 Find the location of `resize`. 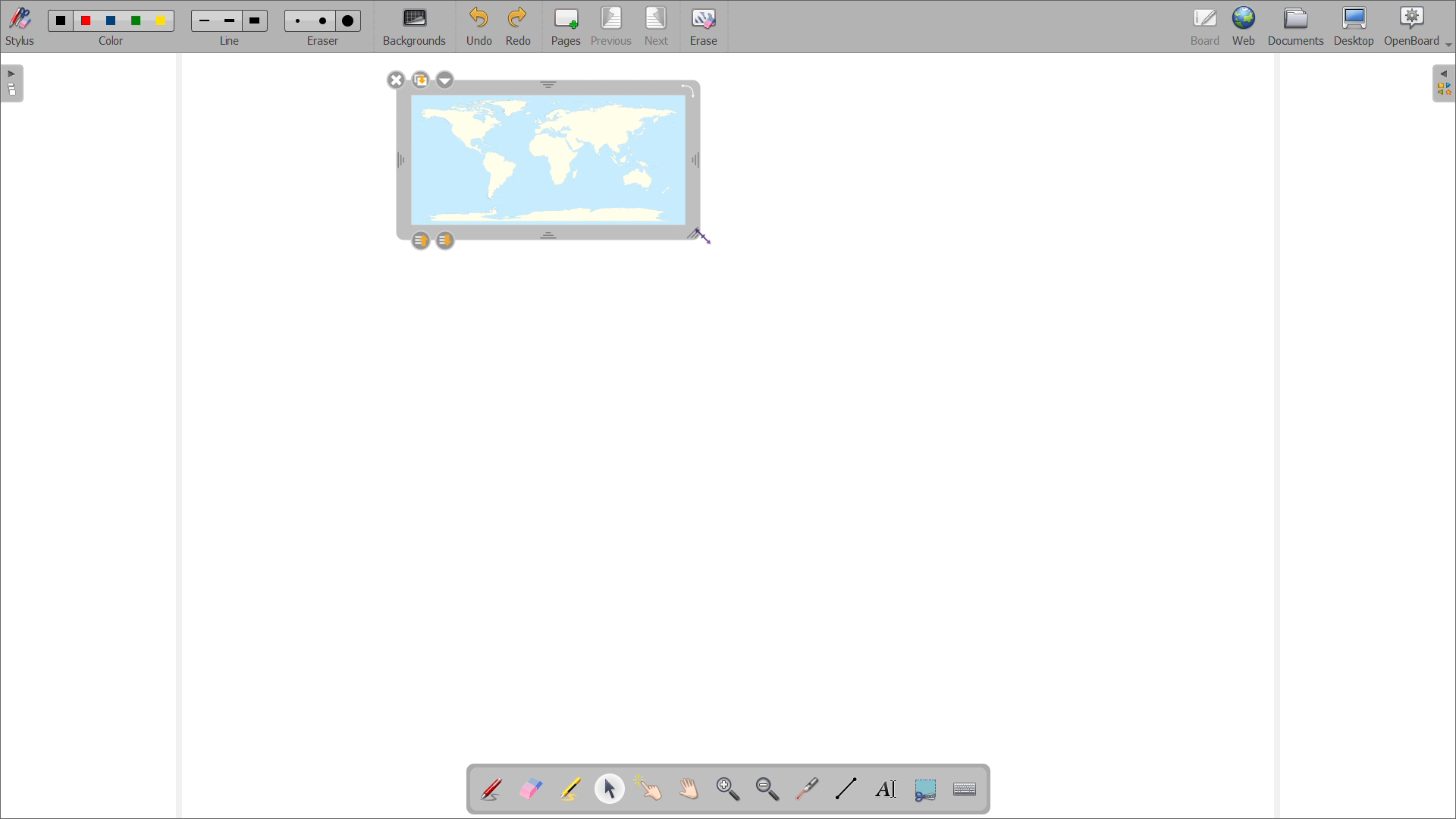

resize is located at coordinates (548, 235).